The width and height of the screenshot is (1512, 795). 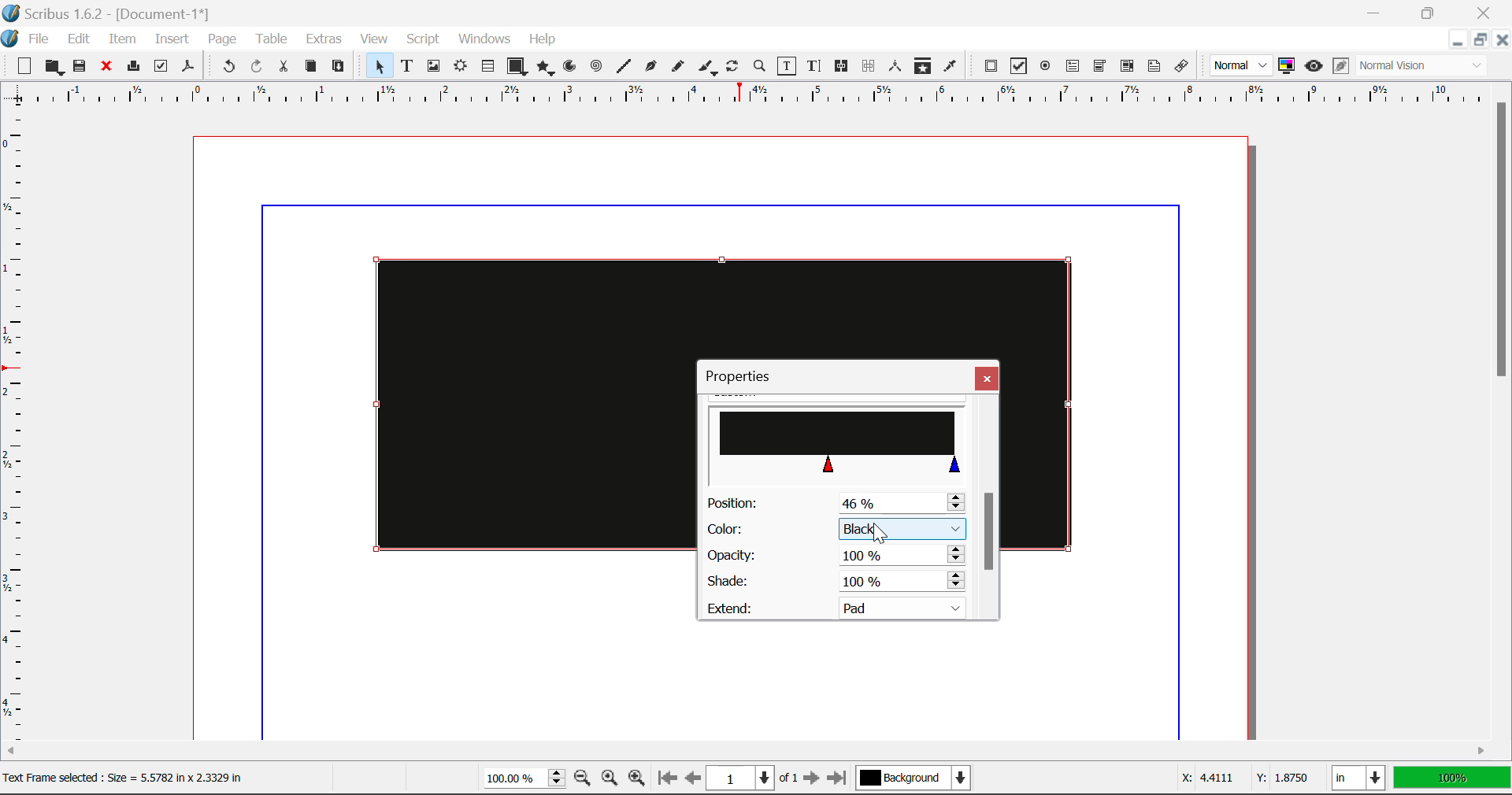 What do you see at coordinates (1017, 66) in the screenshot?
I see `PDF Checkbox` at bounding box center [1017, 66].